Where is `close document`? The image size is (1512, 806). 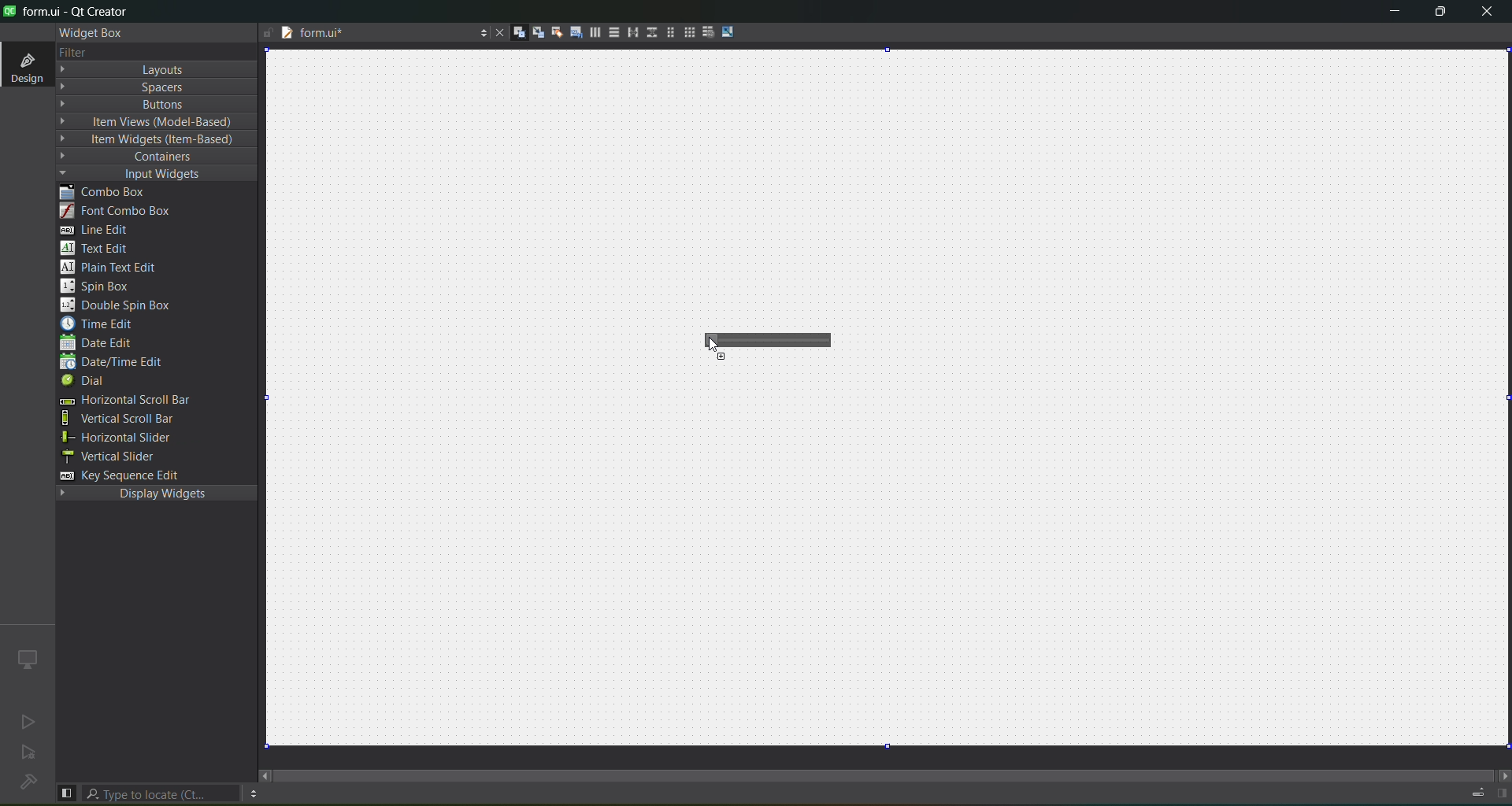
close document is located at coordinates (498, 31).